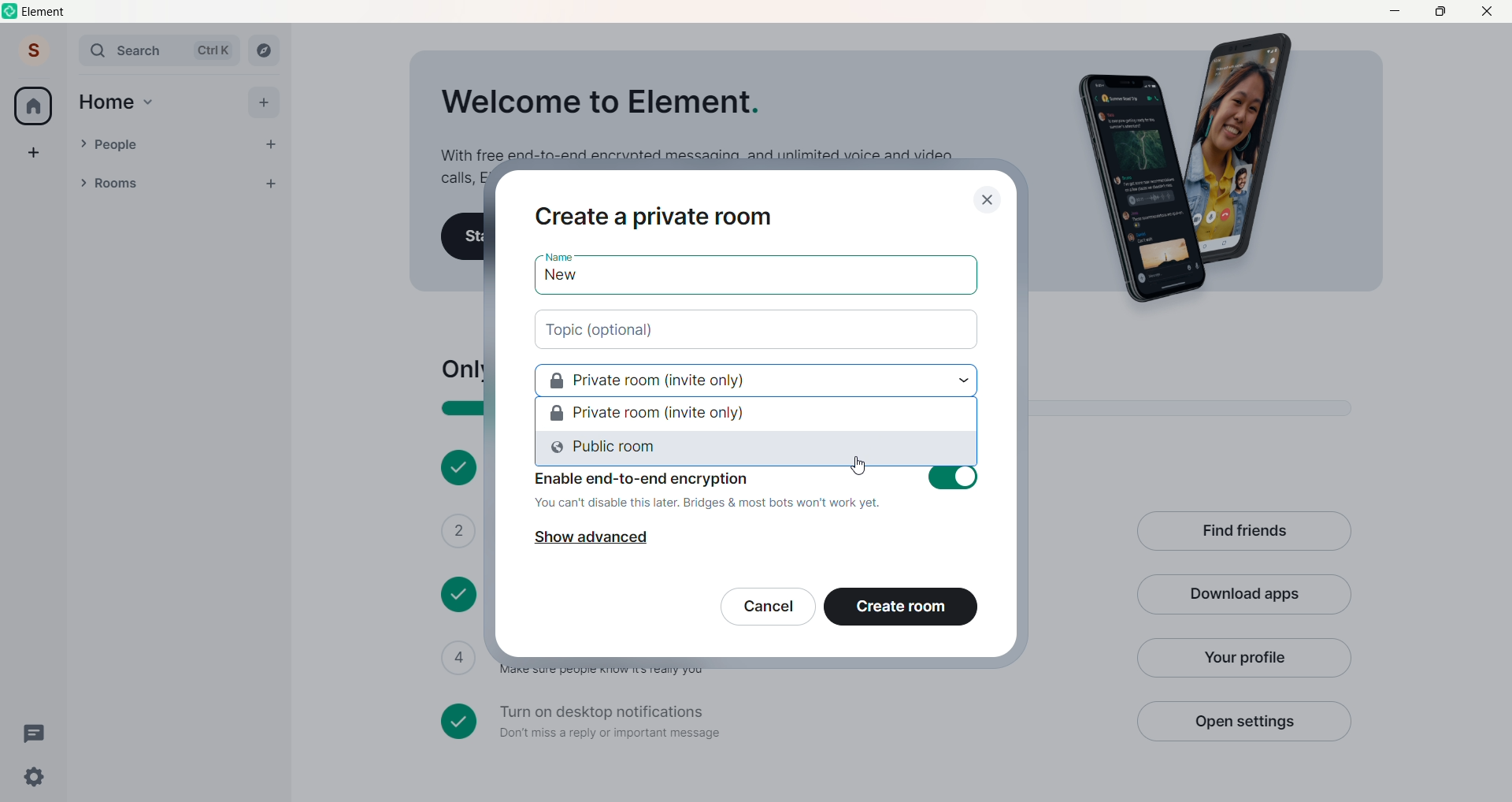 The image size is (1512, 802). Describe the element at coordinates (149, 102) in the screenshot. I see `Home Drop Down` at that location.